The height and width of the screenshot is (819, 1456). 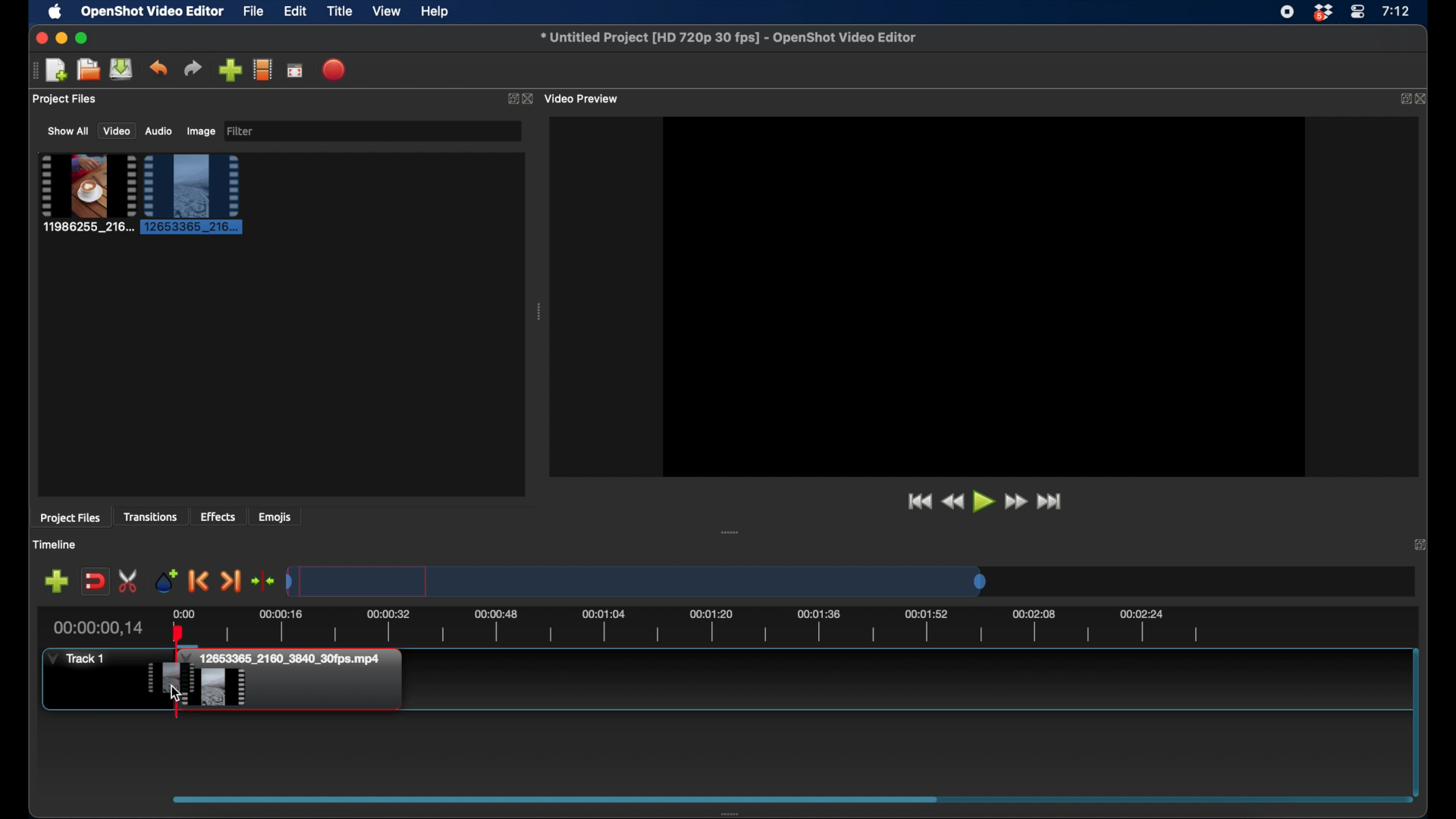 What do you see at coordinates (86, 193) in the screenshot?
I see `clip` at bounding box center [86, 193].